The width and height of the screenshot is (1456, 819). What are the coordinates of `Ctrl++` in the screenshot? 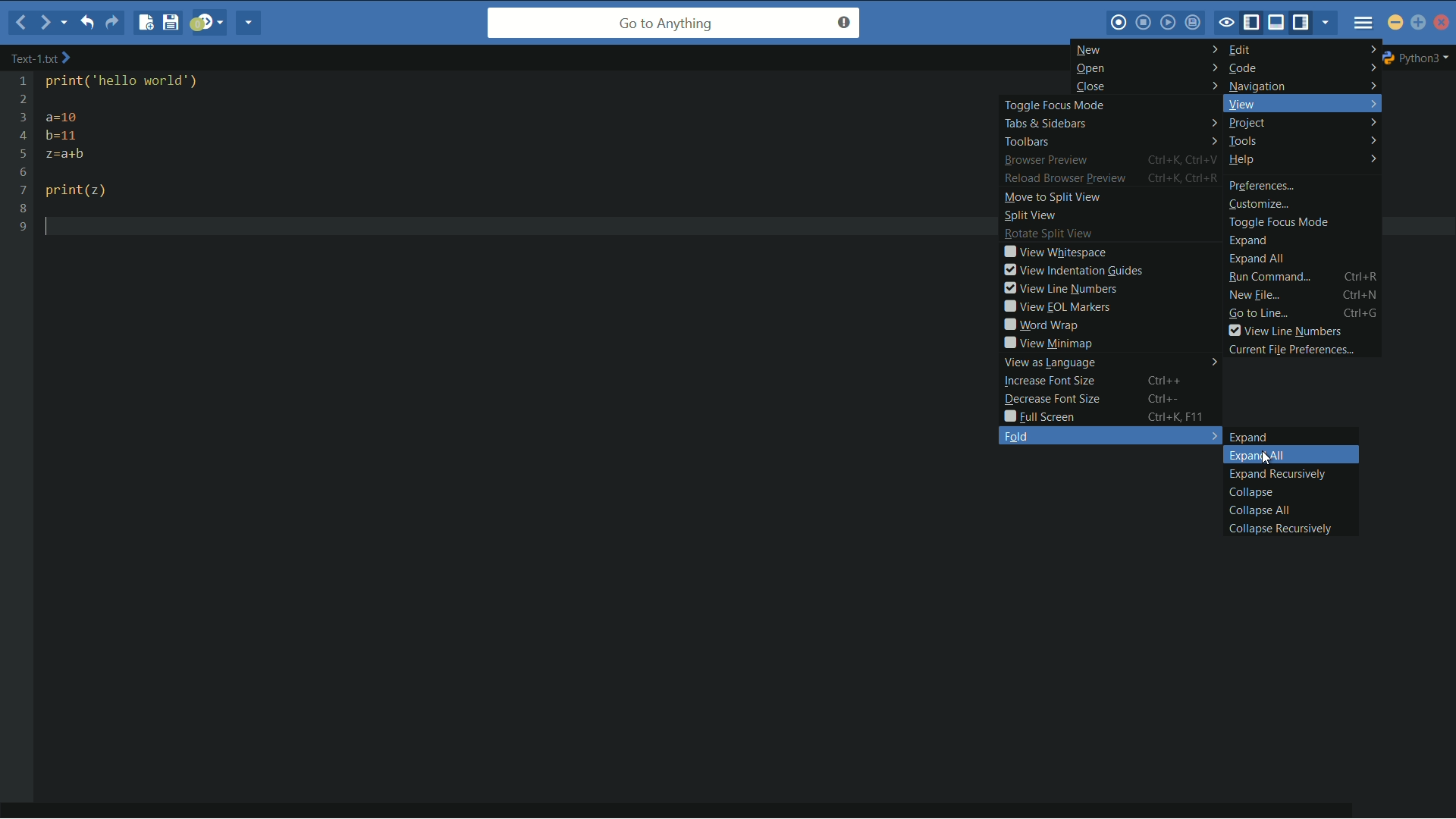 It's located at (1174, 380).